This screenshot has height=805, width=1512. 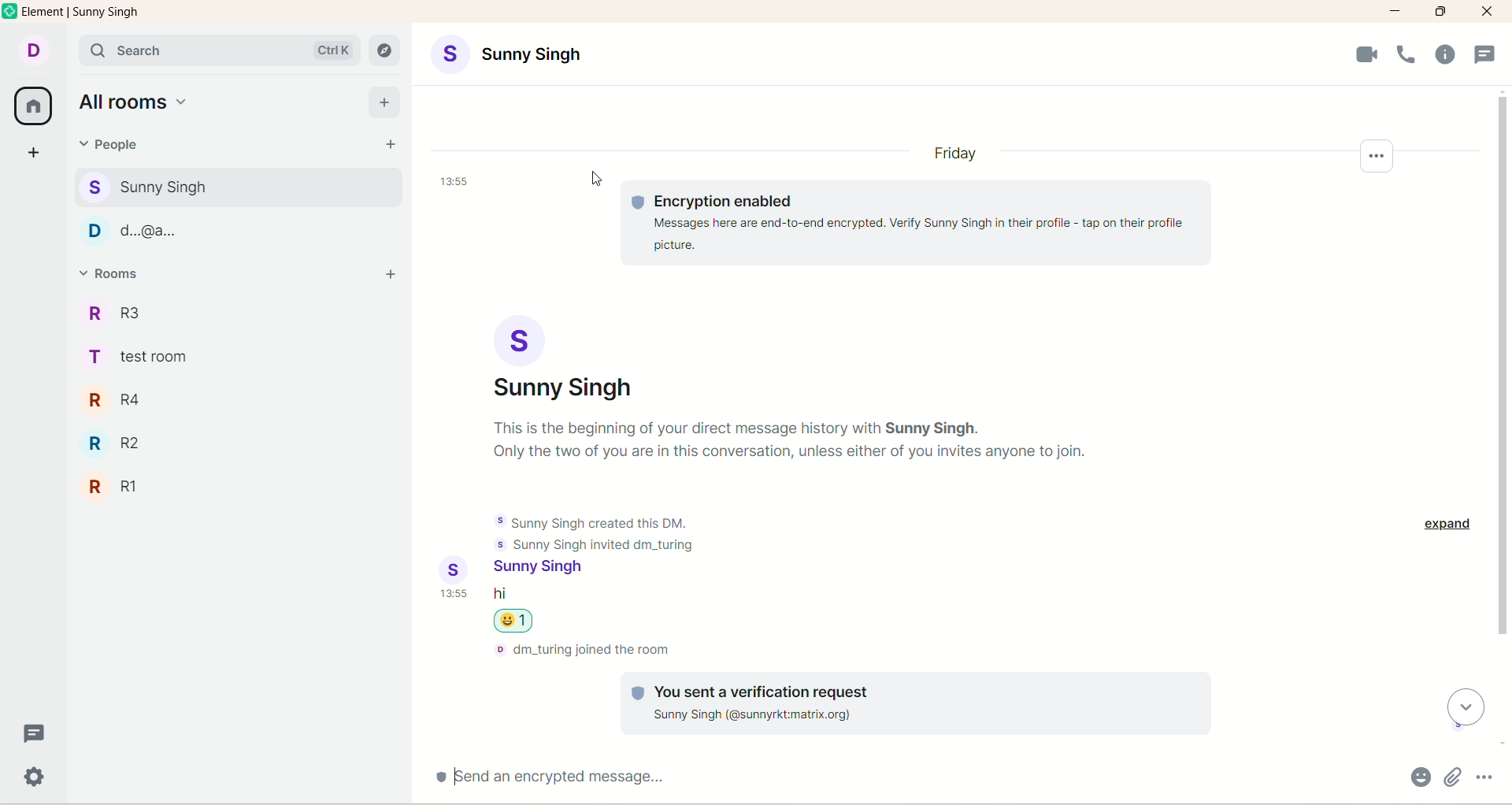 I want to click on explore rooms, so click(x=384, y=50).